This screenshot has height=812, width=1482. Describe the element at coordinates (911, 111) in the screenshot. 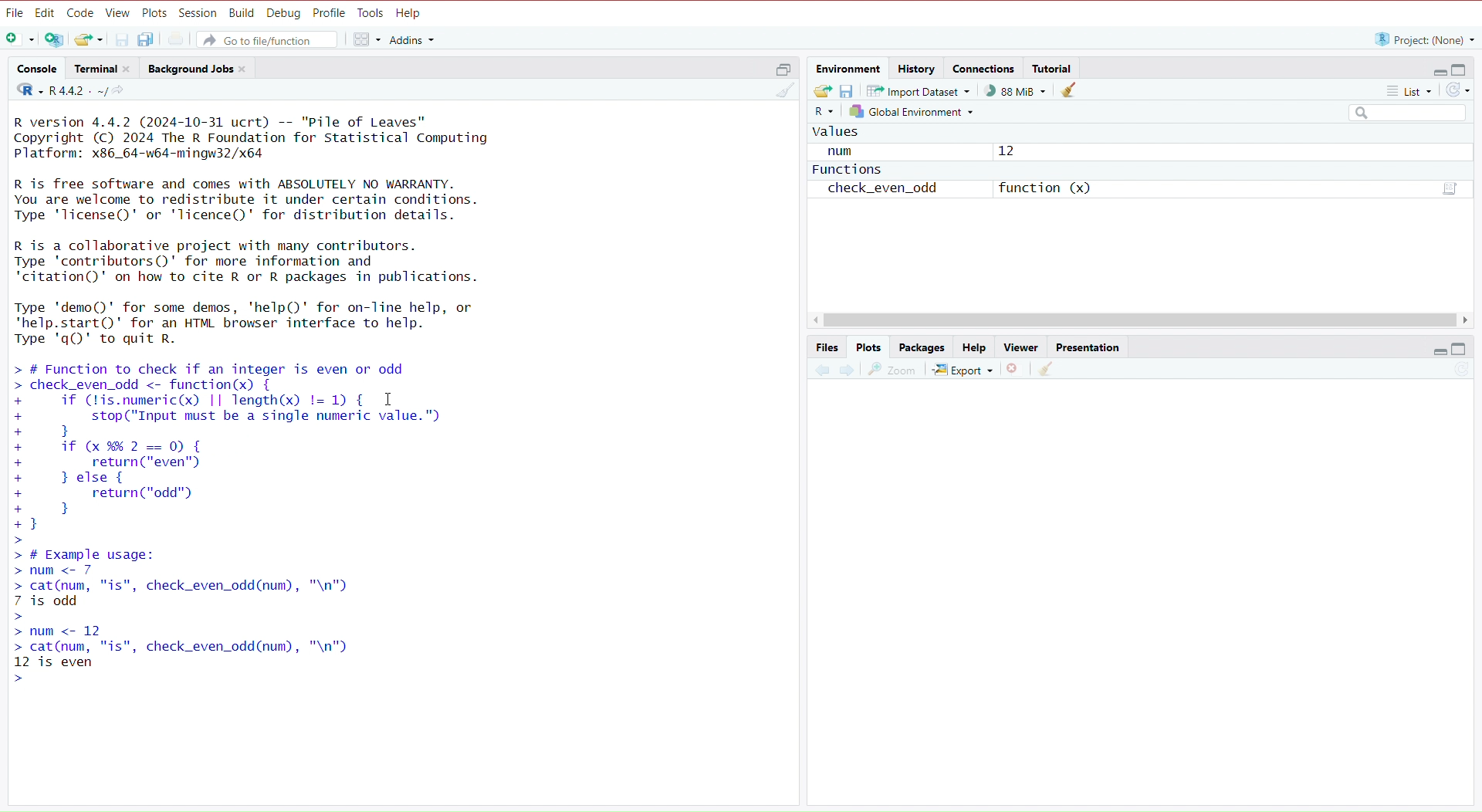

I see `global environment` at that location.